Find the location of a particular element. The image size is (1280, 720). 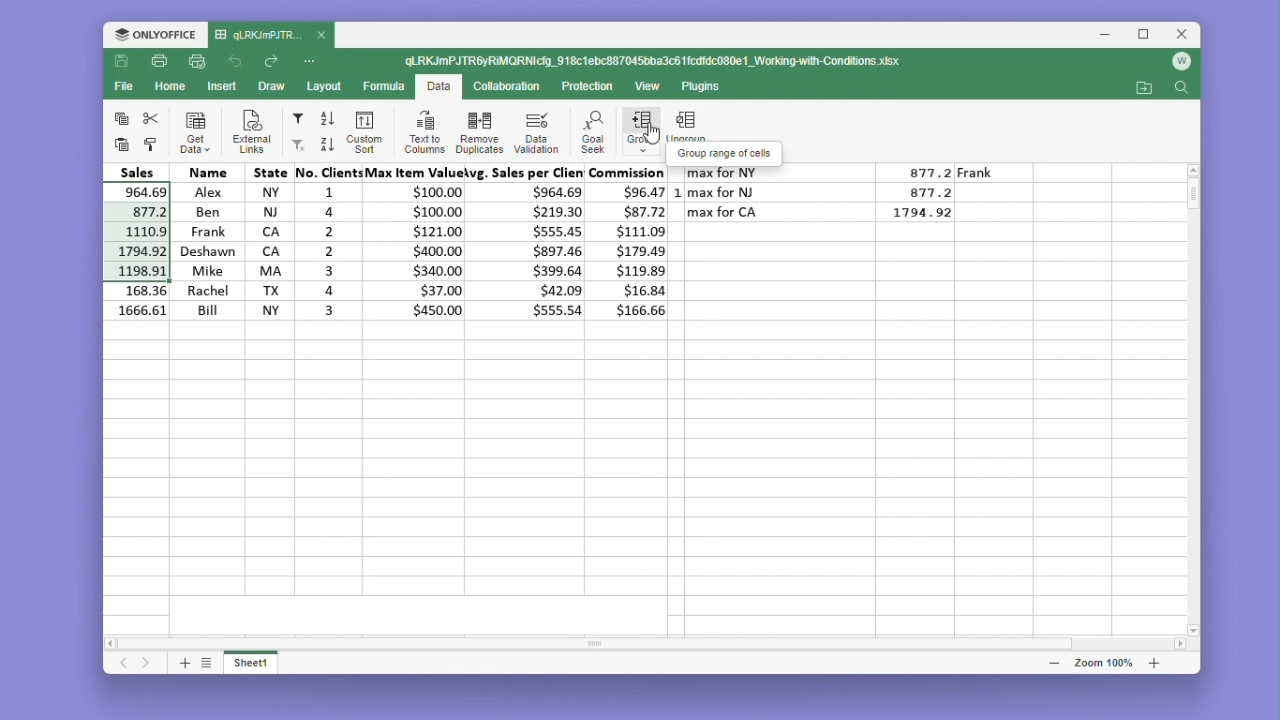

 is located at coordinates (172, 86).